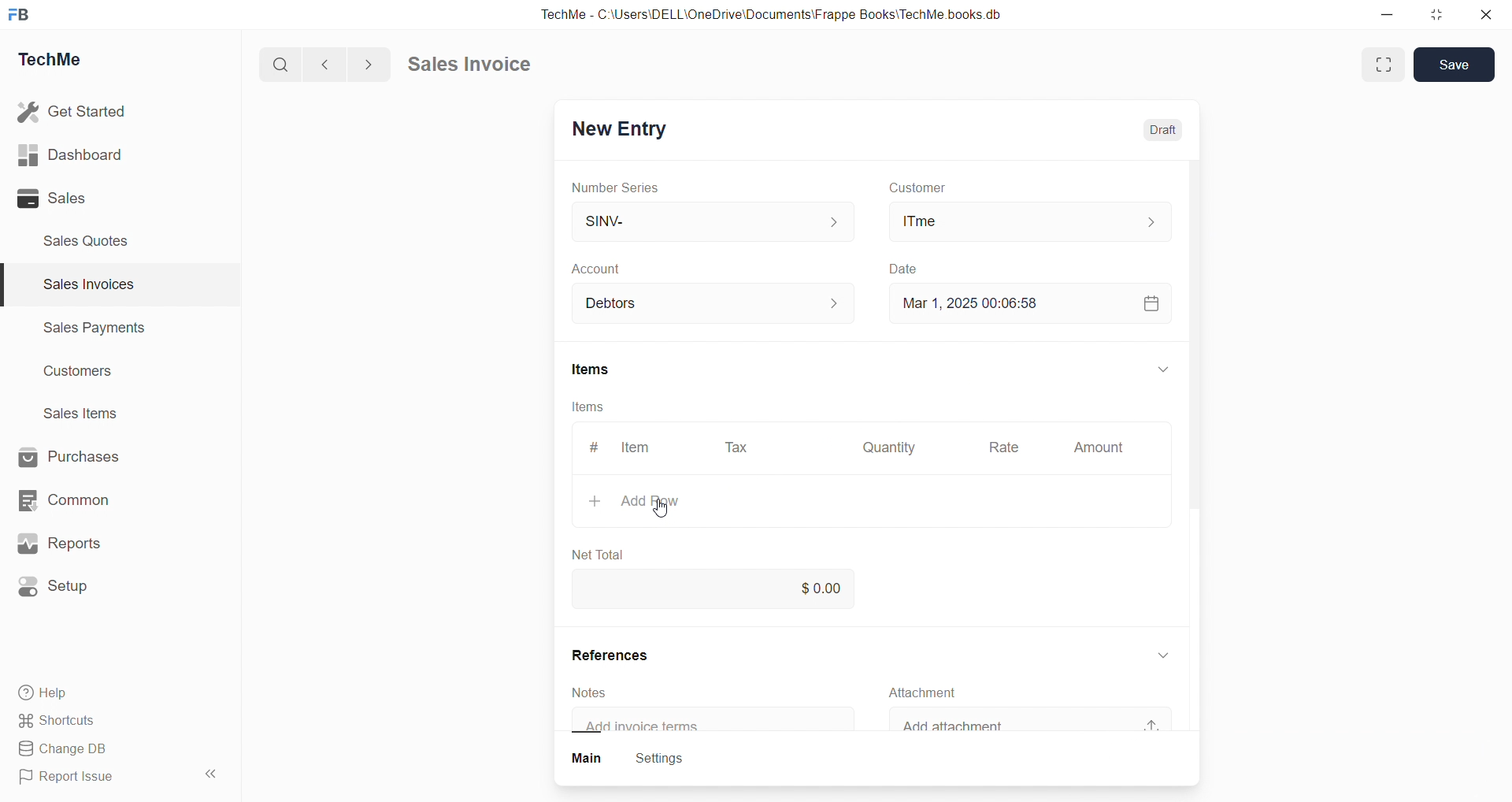 The width and height of the screenshot is (1512, 802). Describe the element at coordinates (80, 499) in the screenshot. I see `EB Common` at that location.